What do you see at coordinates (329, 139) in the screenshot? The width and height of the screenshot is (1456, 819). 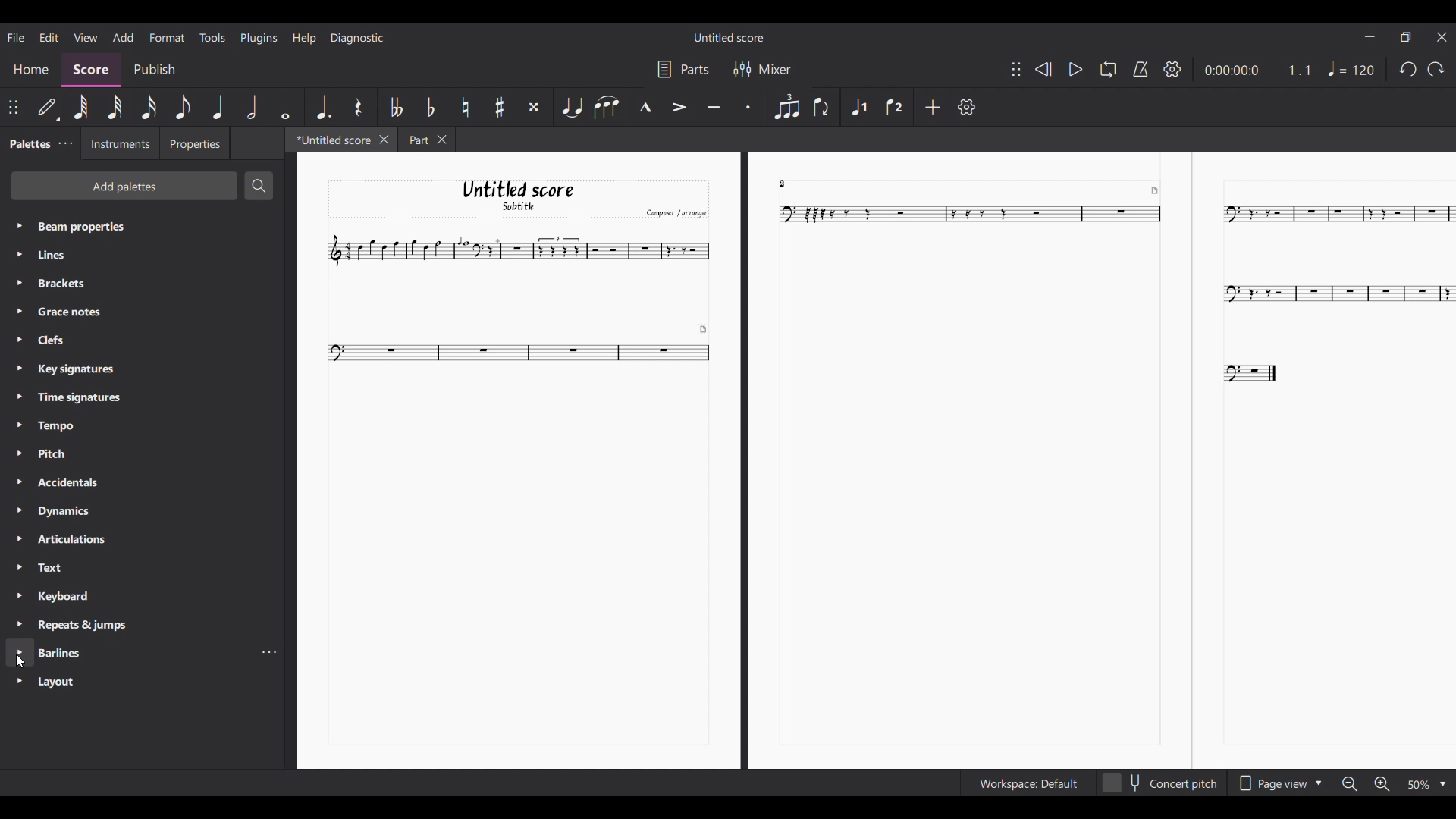 I see `Current tab` at bounding box center [329, 139].